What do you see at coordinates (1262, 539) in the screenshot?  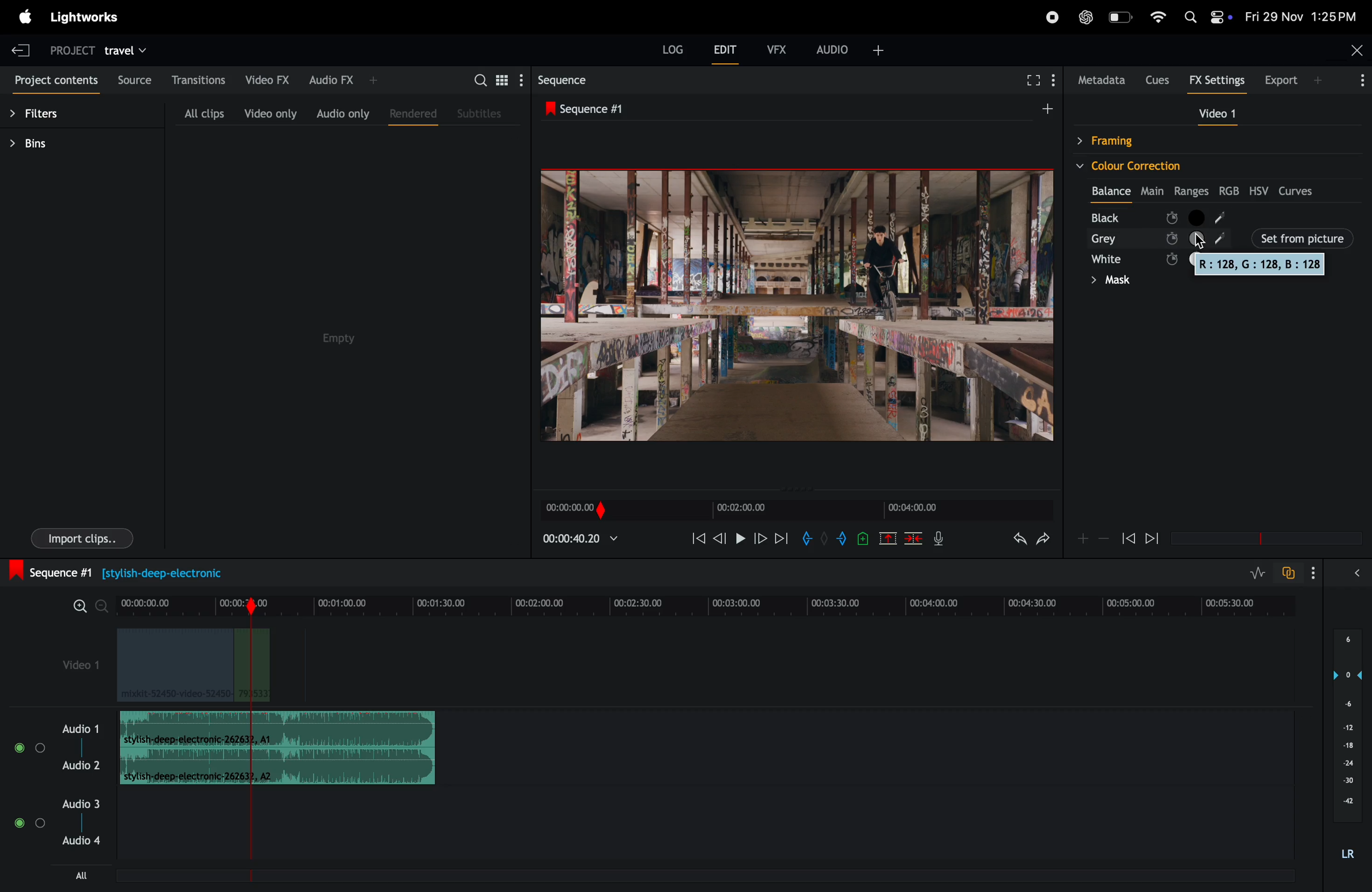 I see `time frame` at bounding box center [1262, 539].